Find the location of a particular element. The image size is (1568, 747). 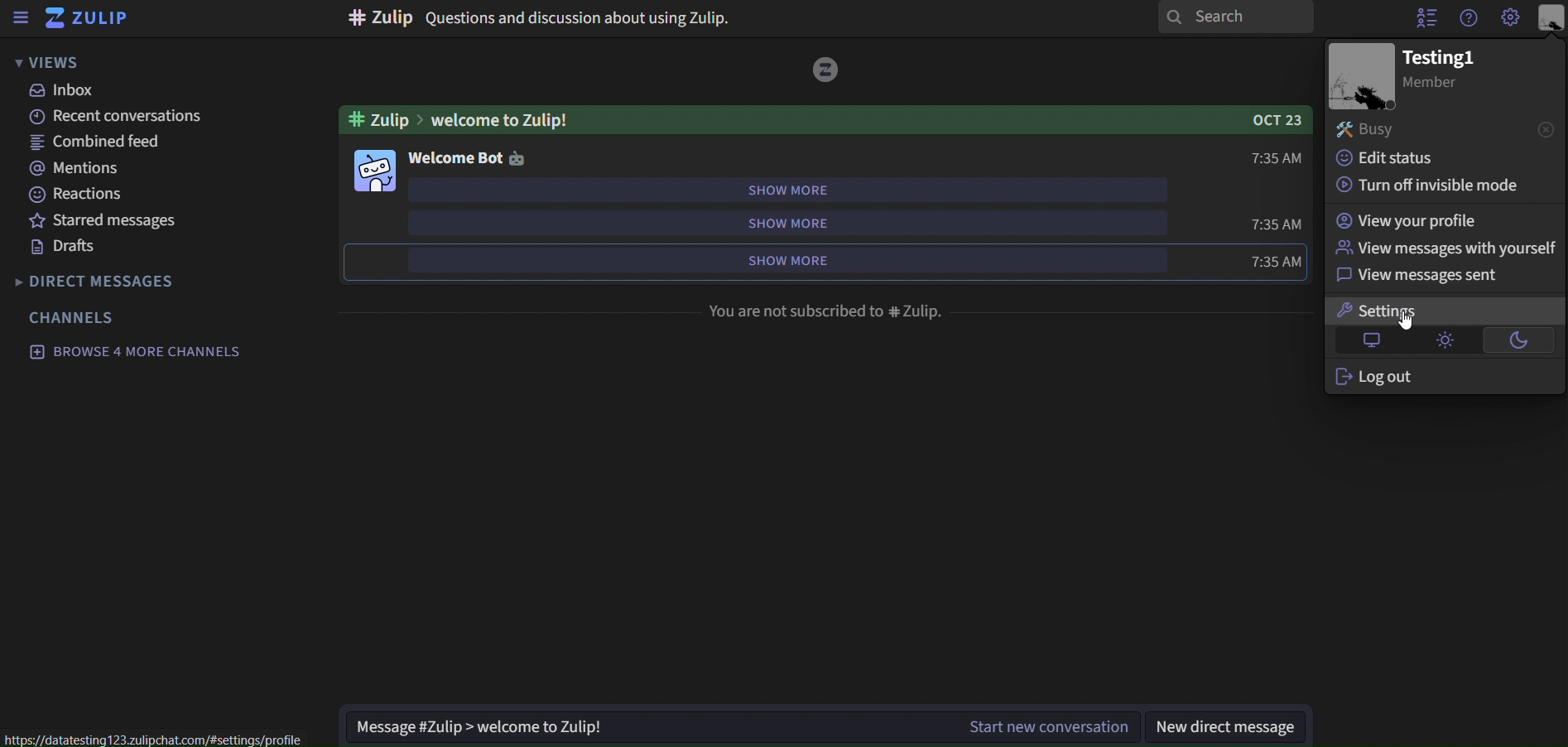

busy is located at coordinates (1424, 129).